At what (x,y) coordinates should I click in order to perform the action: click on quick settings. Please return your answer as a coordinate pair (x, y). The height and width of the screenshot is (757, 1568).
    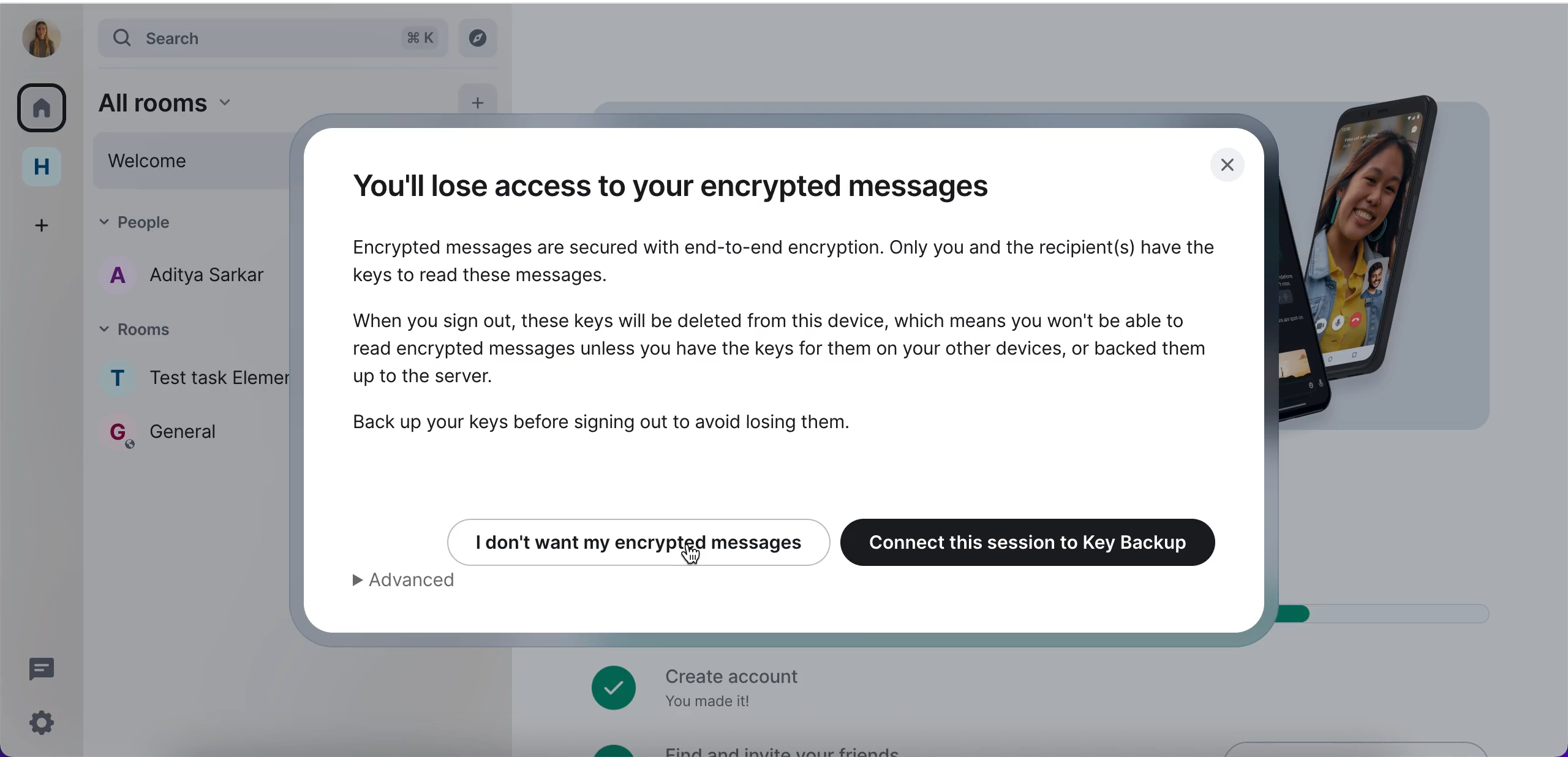
    Looking at the image, I should click on (39, 722).